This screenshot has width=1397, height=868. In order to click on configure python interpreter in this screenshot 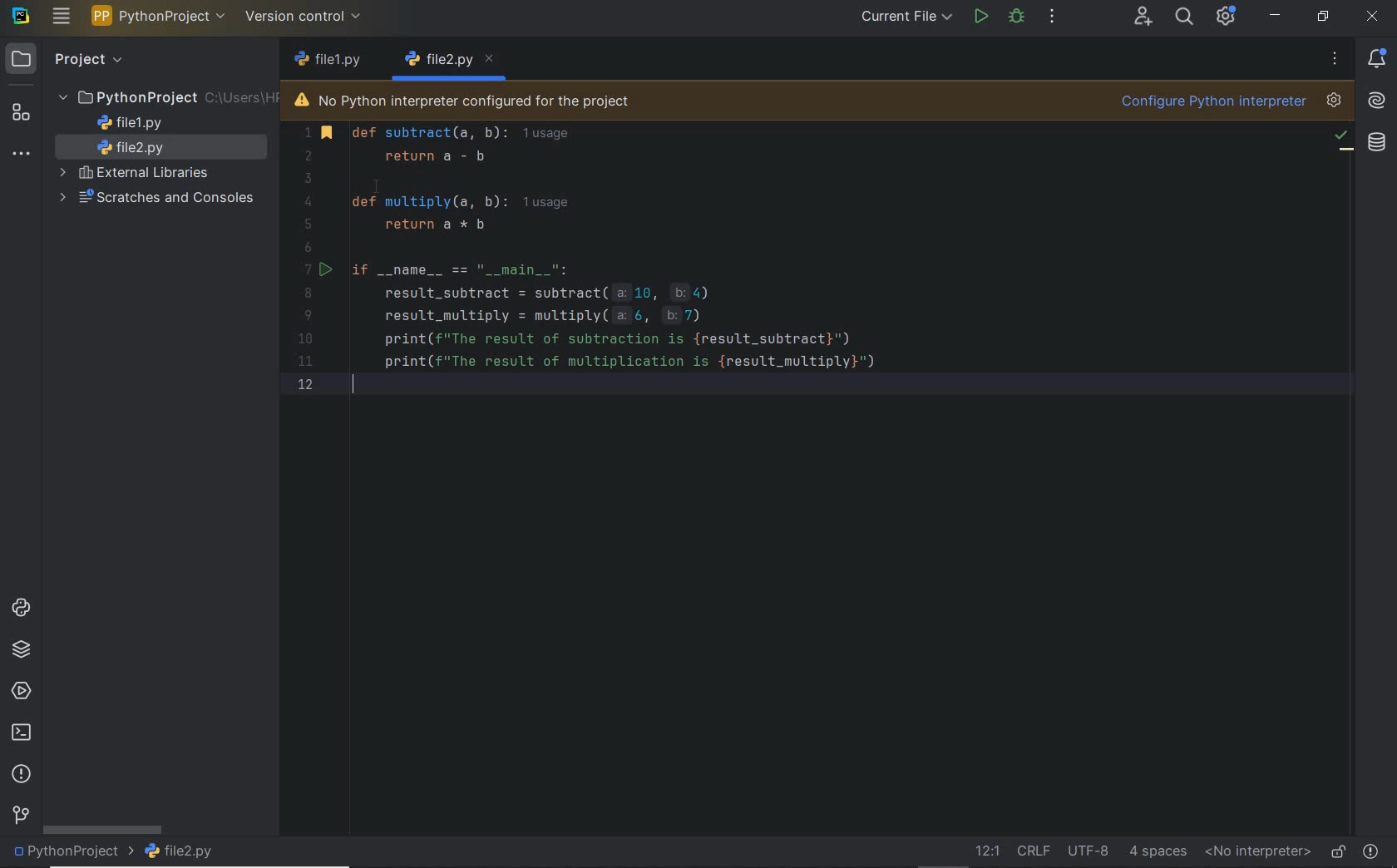, I will do `click(1230, 102)`.